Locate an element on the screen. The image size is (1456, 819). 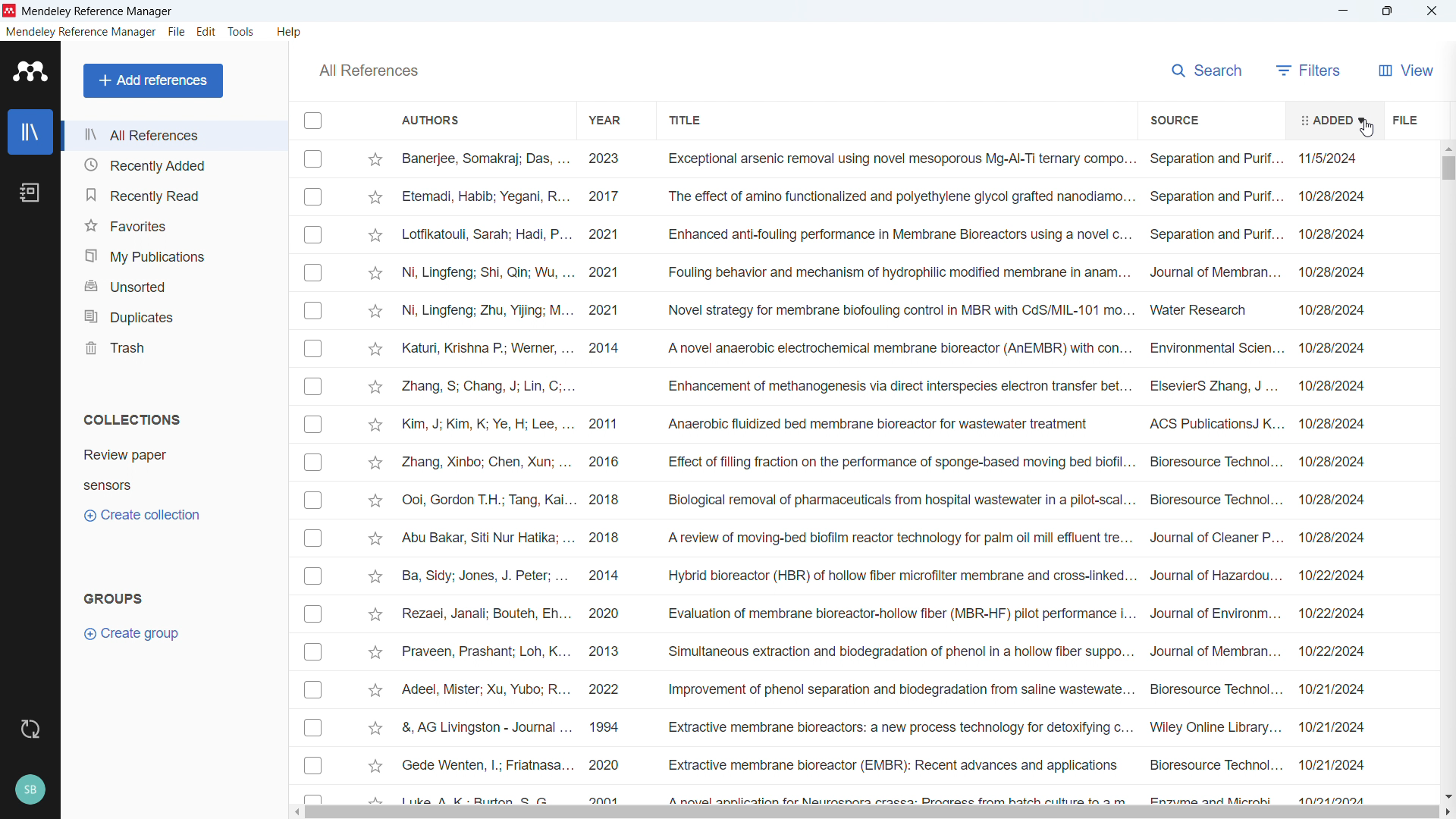
All references  is located at coordinates (369, 70).